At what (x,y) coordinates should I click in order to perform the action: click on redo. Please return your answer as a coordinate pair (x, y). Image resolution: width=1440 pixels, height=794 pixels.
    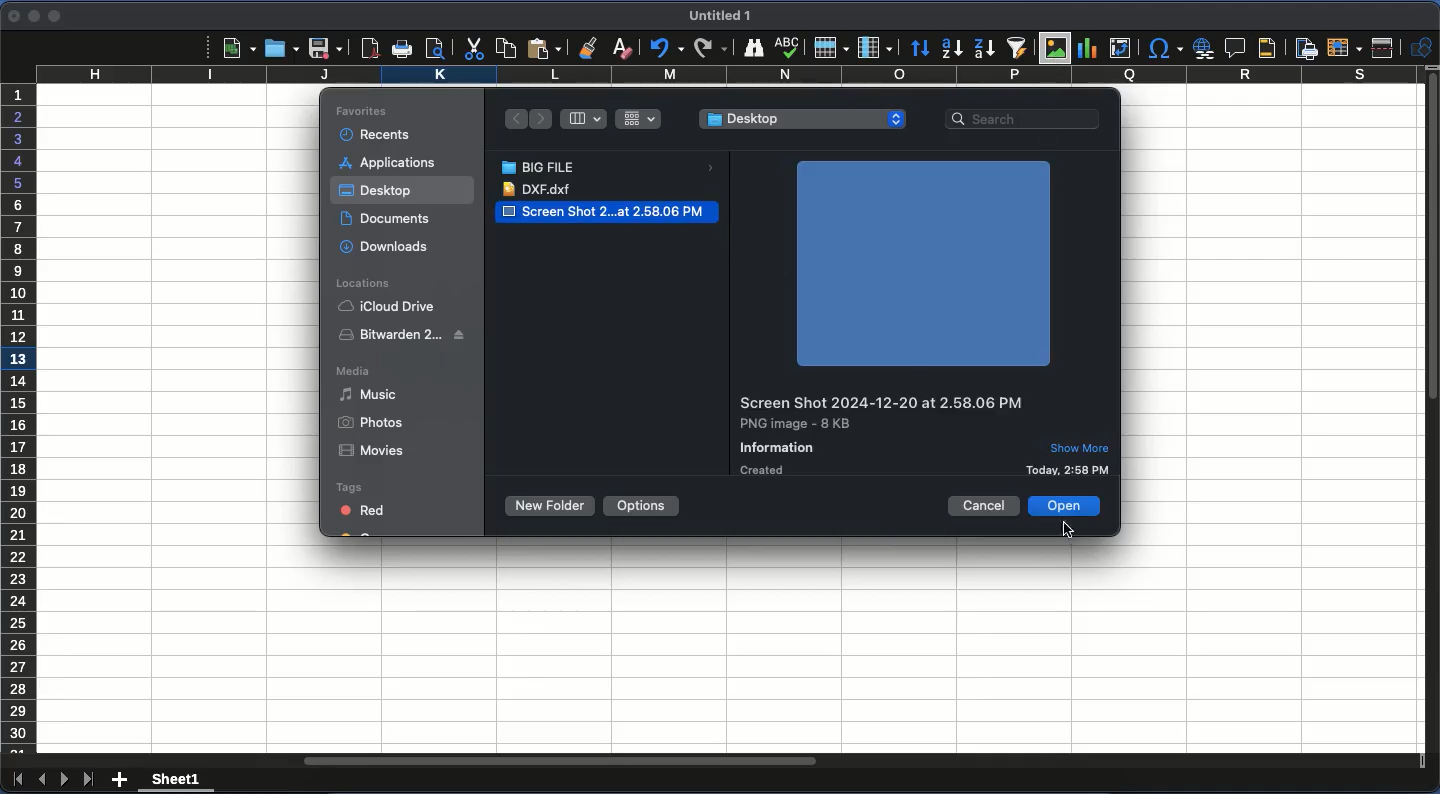
    Looking at the image, I should click on (710, 48).